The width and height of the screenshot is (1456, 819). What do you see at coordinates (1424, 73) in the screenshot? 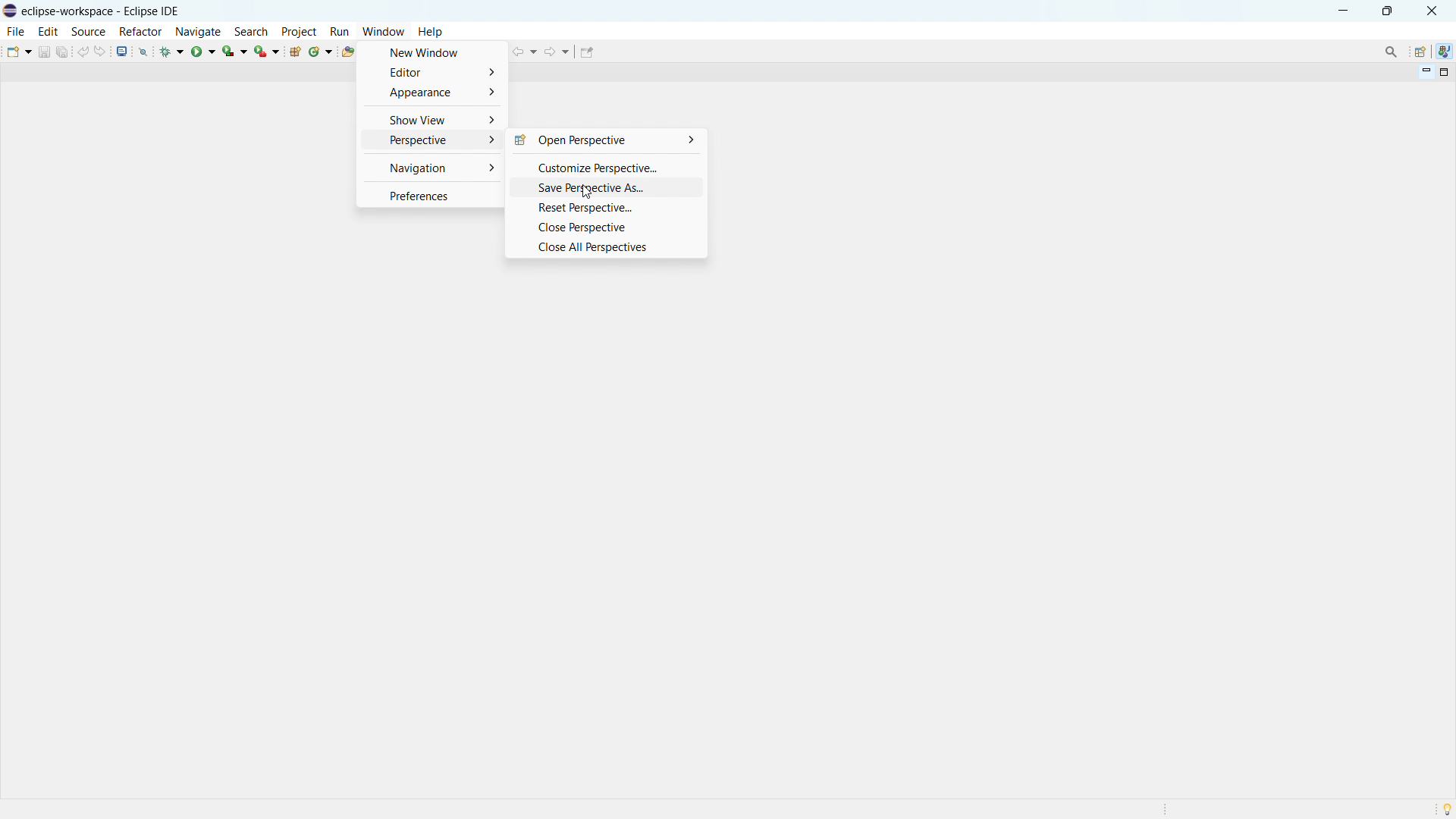
I see `minimize view` at bounding box center [1424, 73].